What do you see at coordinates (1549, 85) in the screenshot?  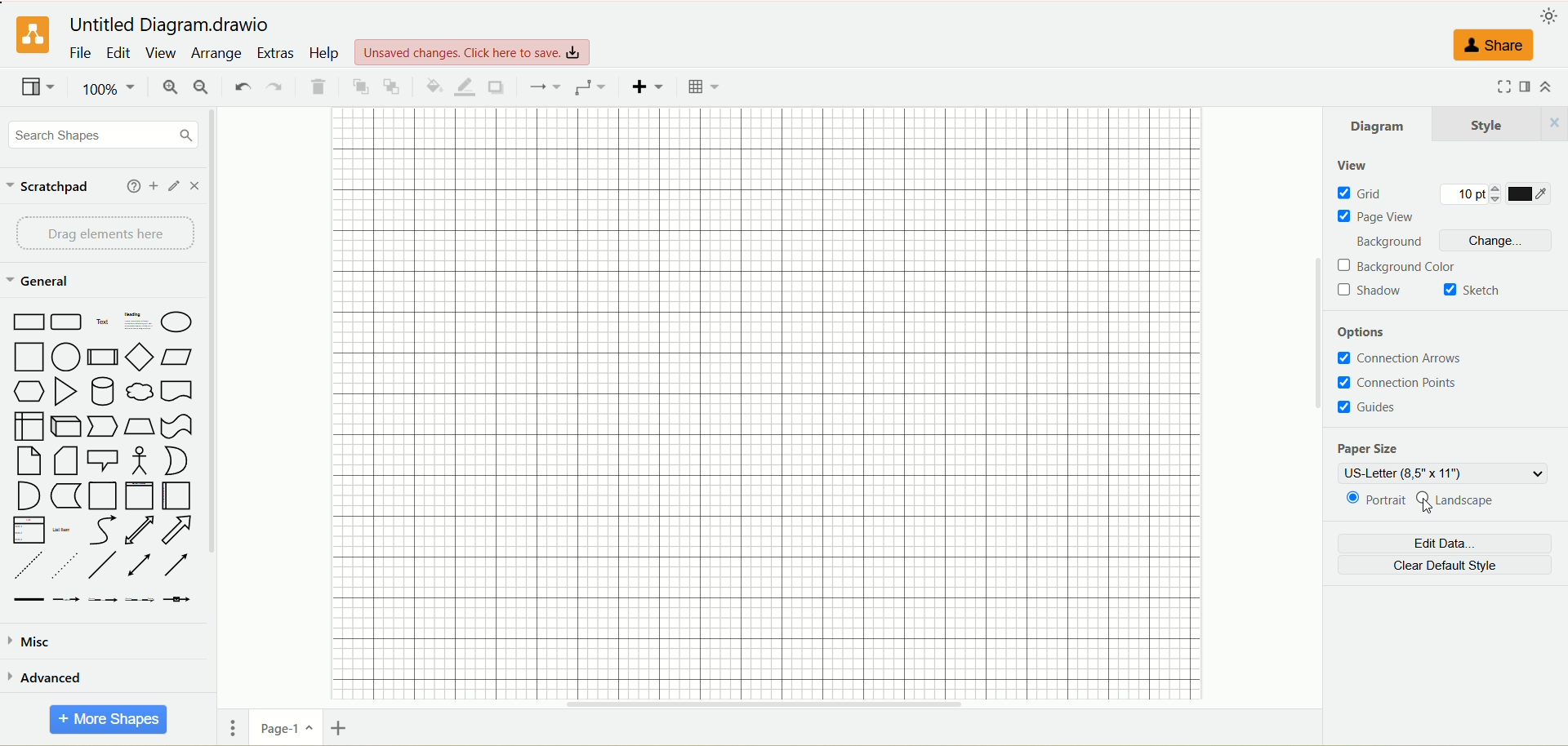 I see `collapse/expand` at bounding box center [1549, 85].